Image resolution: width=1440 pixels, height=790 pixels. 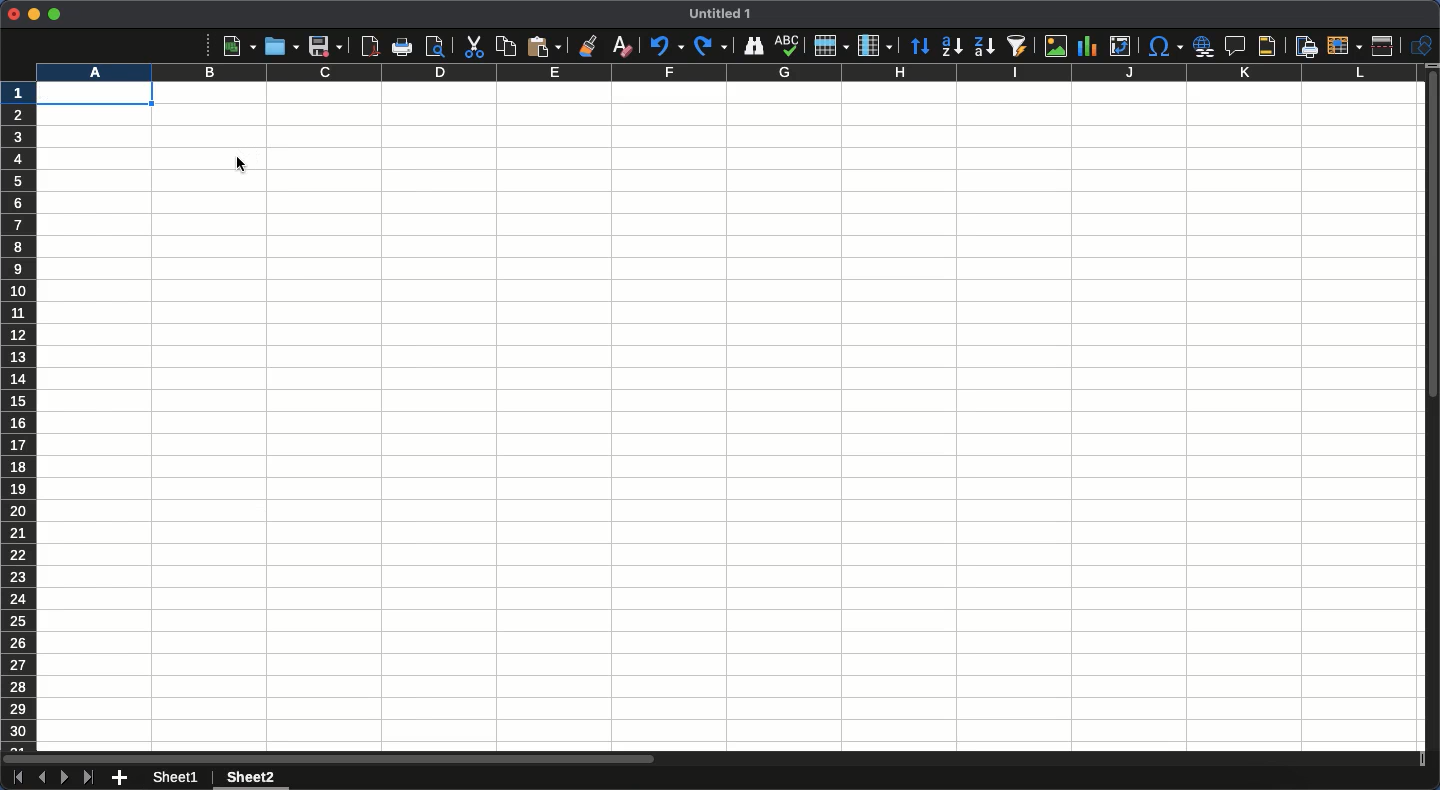 I want to click on Previous sheet, so click(x=41, y=777).